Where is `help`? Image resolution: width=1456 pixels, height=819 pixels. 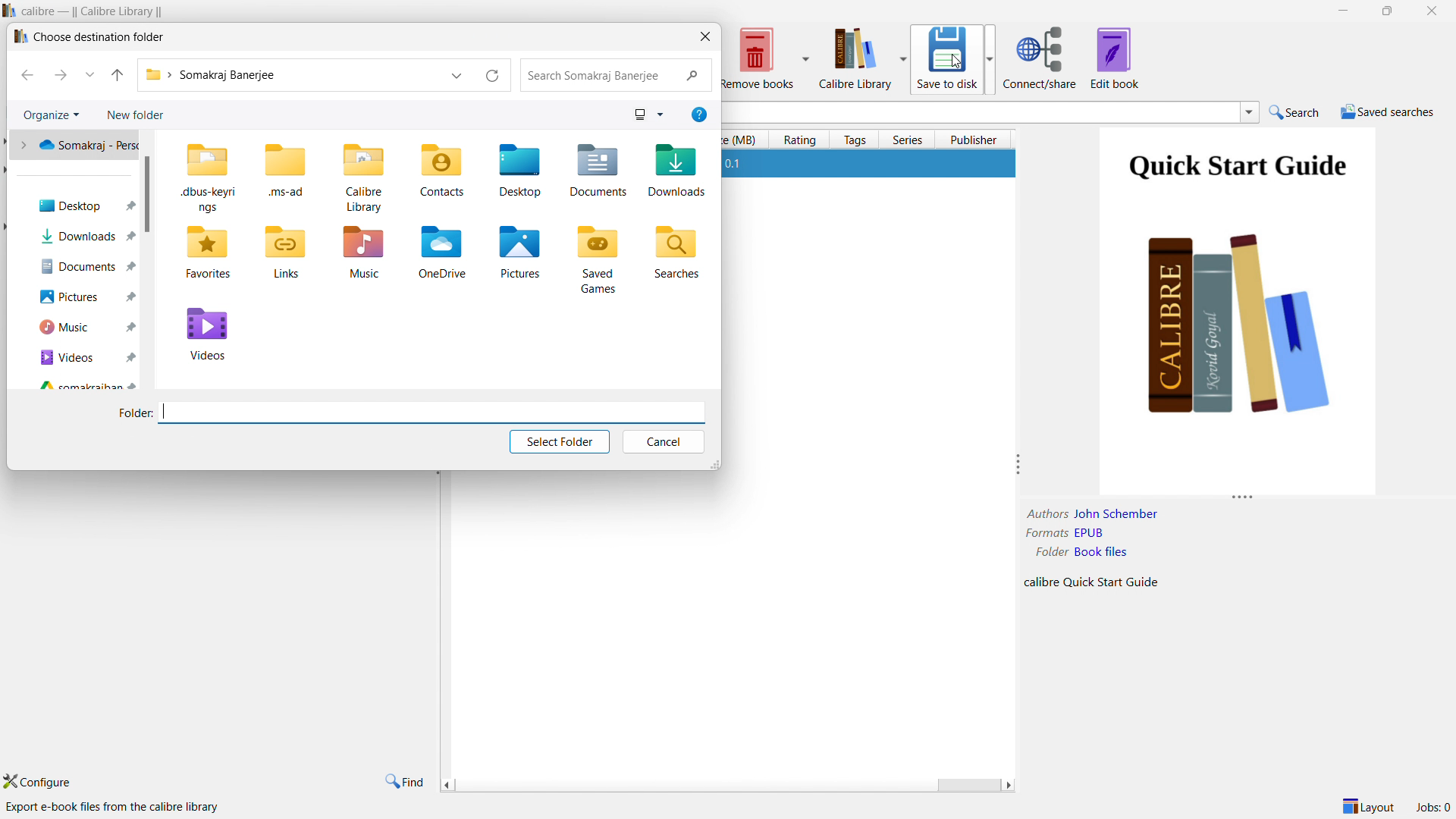
help is located at coordinates (699, 115).